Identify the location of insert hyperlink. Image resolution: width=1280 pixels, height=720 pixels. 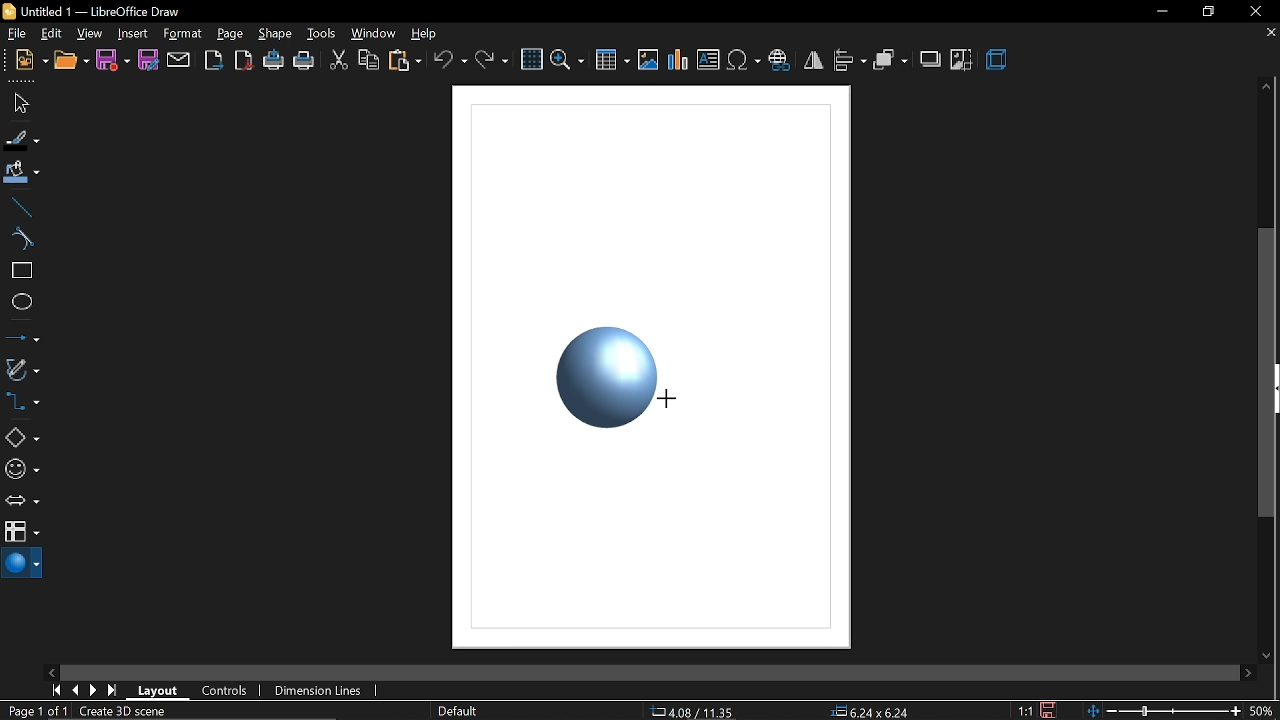
(782, 60).